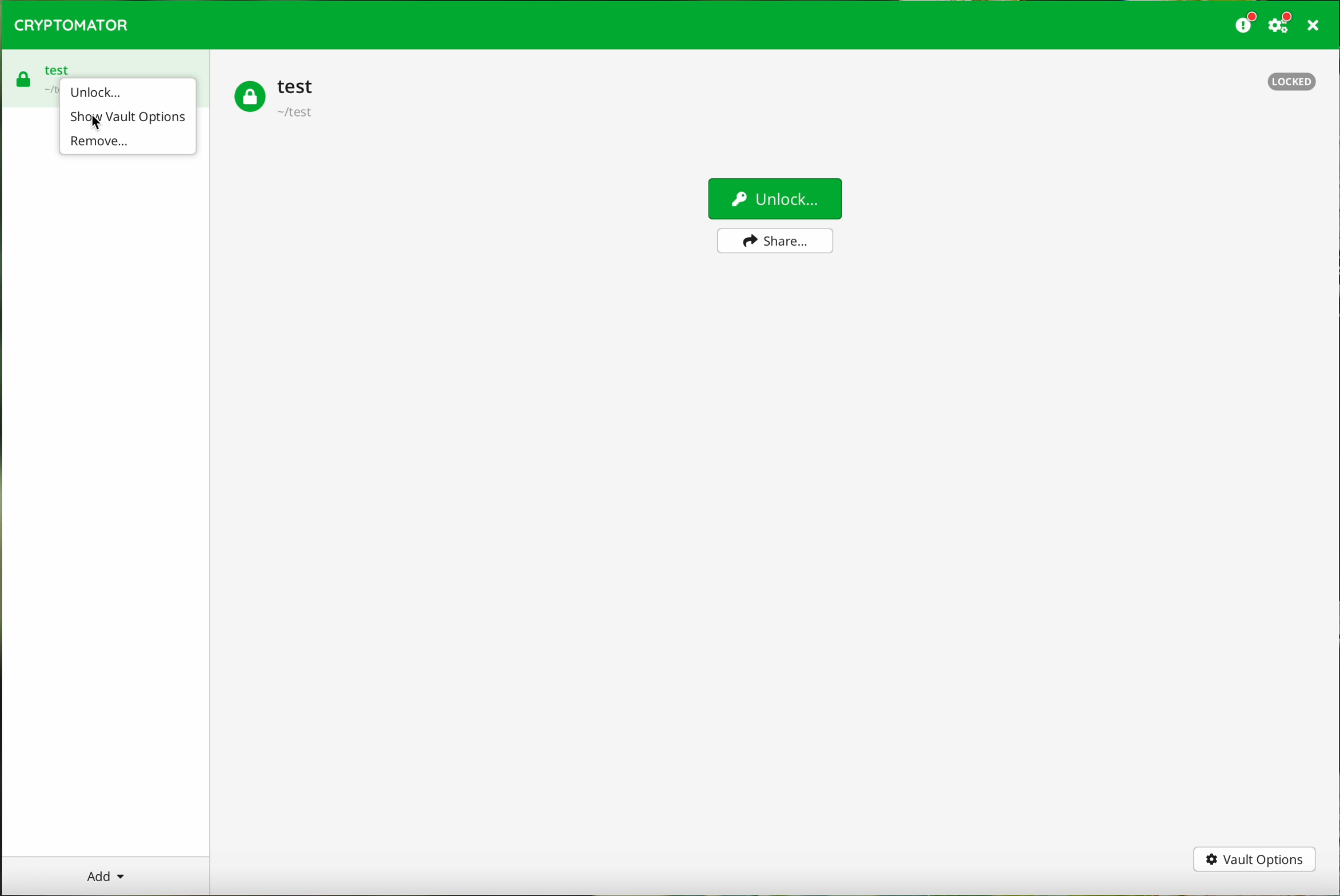  What do you see at coordinates (774, 198) in the screenshot?
I see `unlock ` at bounding box center [774, 198].